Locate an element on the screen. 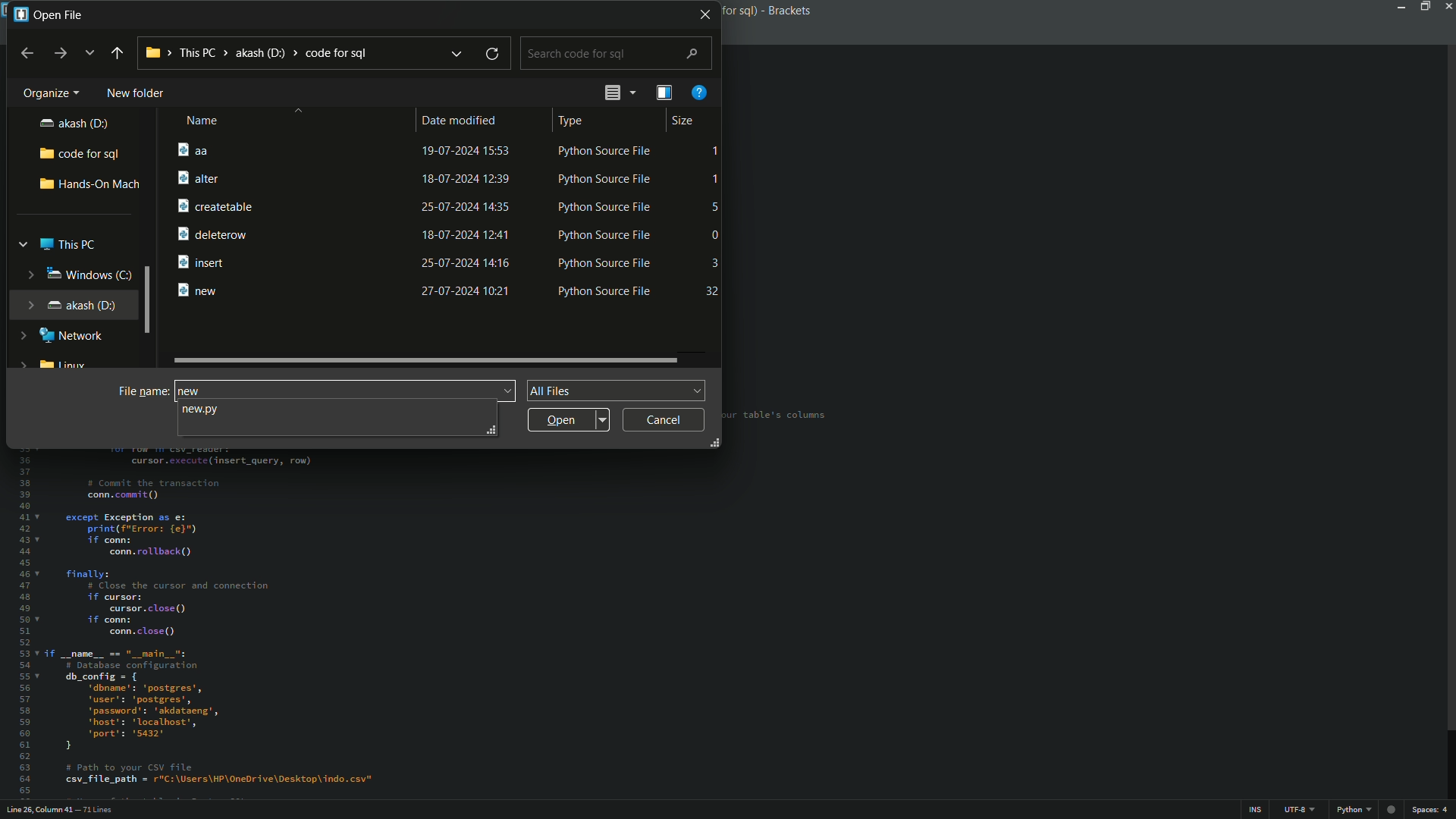  25-07-2024 14:16 is located at coordinates (464, 261).